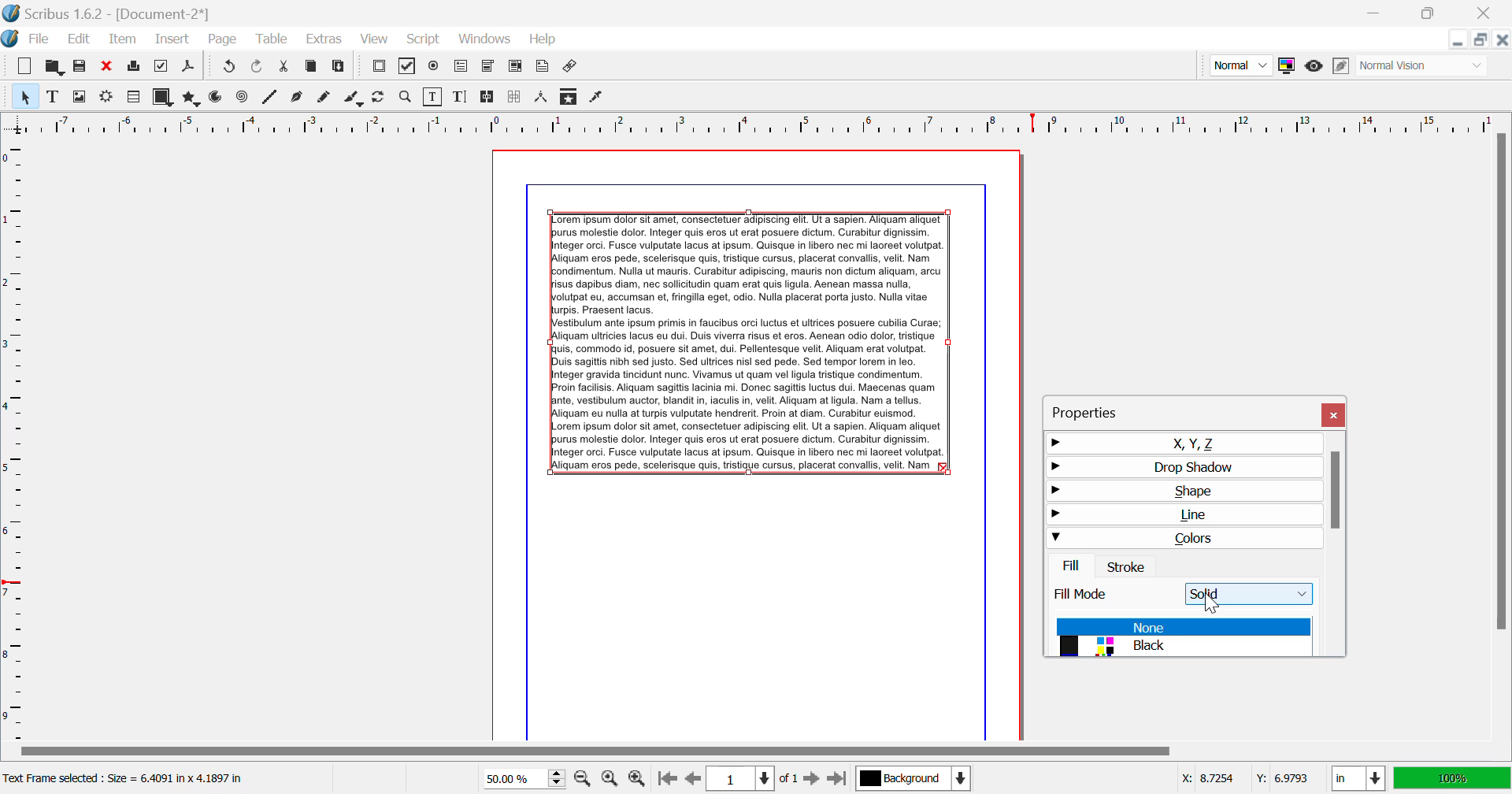  I want to click on Previous Page, so click(691, 779).